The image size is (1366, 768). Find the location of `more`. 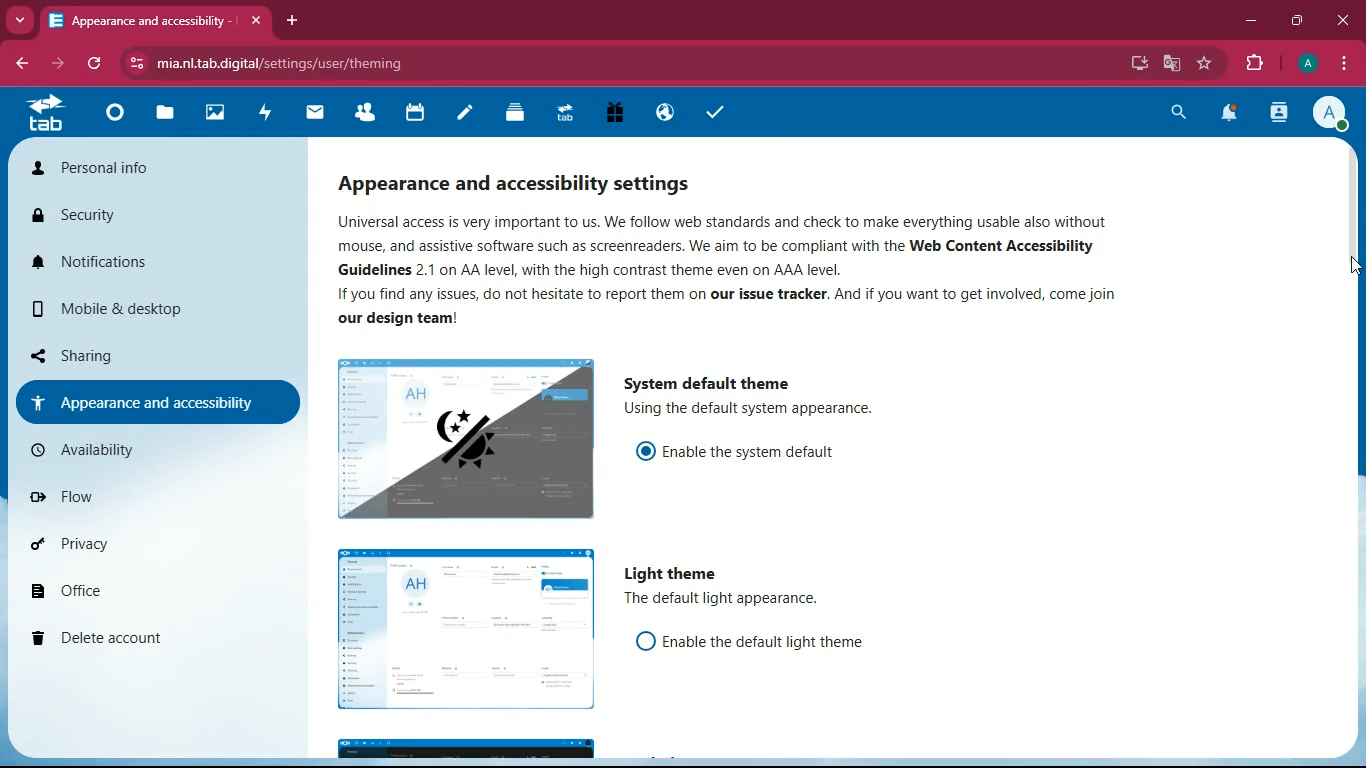

more is located at coordinates (20, 20).